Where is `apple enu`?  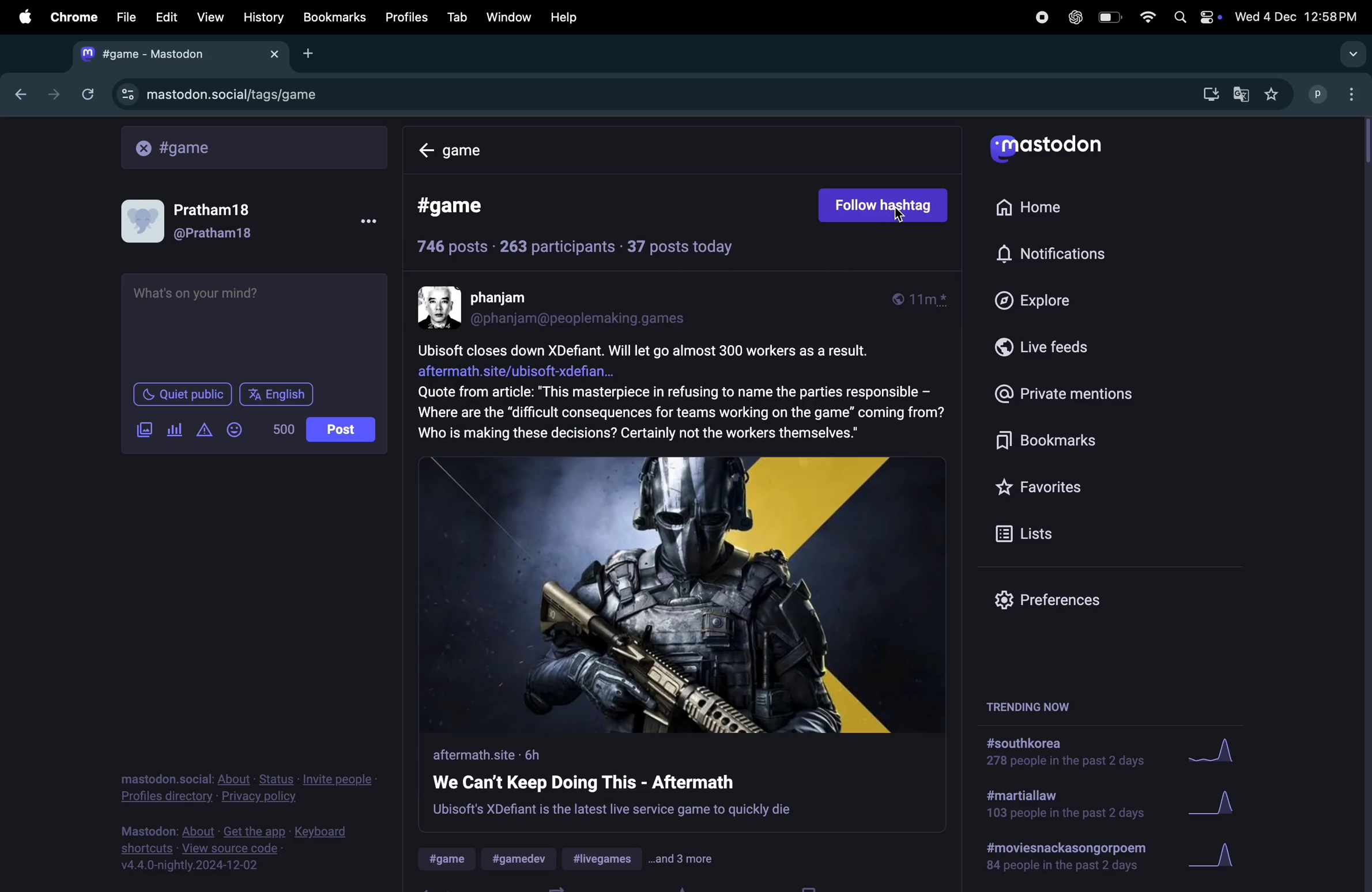 apple enu is located at coordinates (22, 16).